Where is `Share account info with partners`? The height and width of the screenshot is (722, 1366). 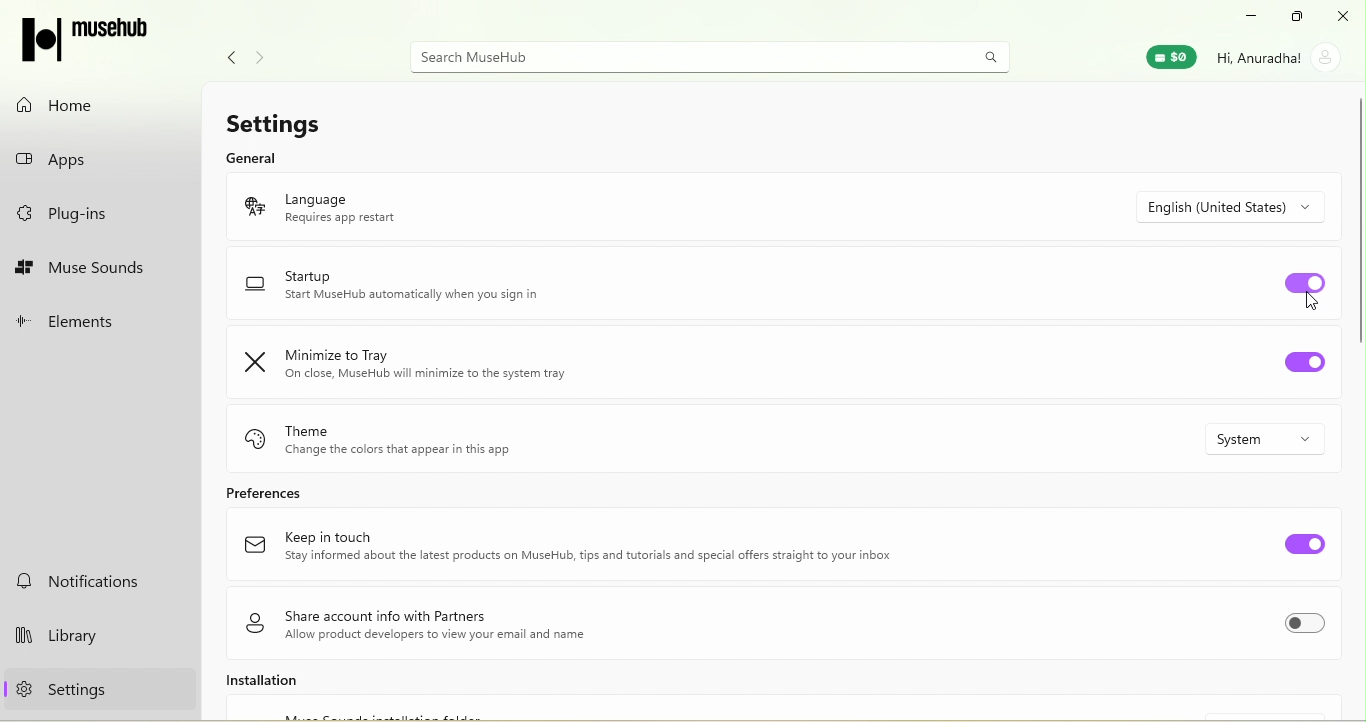 Share account info with partners is located at coordinates (429, 623).